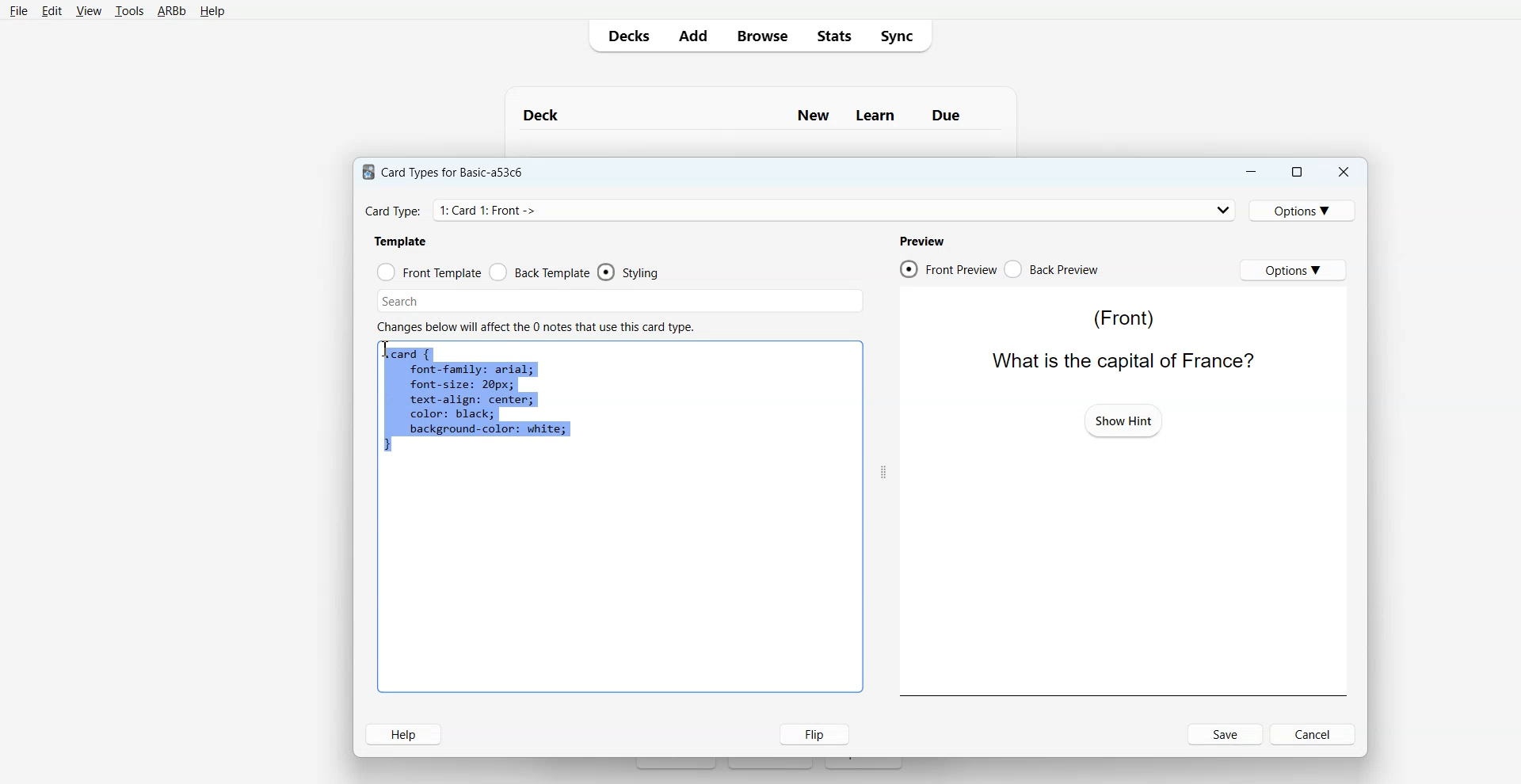  Describe the element at coordinates (212, 12) in the screenshot. I see `Help` at that location.